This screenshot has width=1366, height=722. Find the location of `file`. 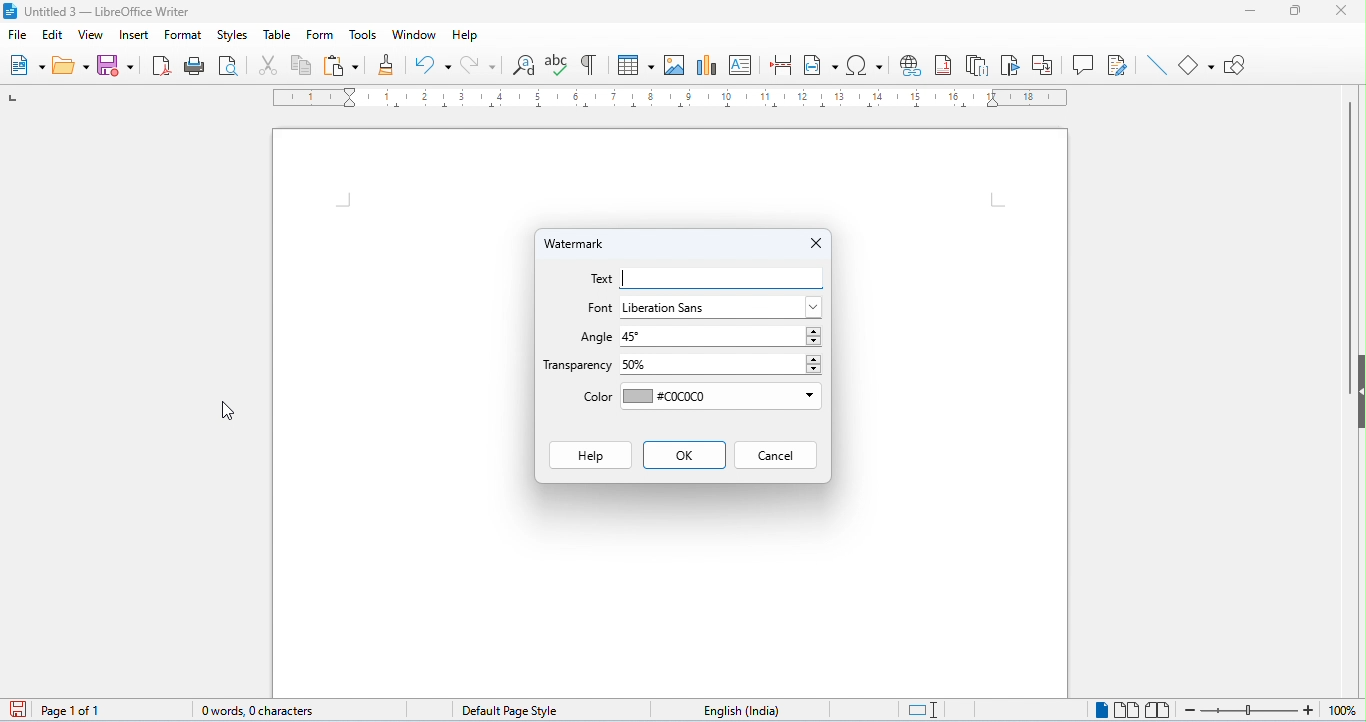

file is located at coordinates (18, 37).